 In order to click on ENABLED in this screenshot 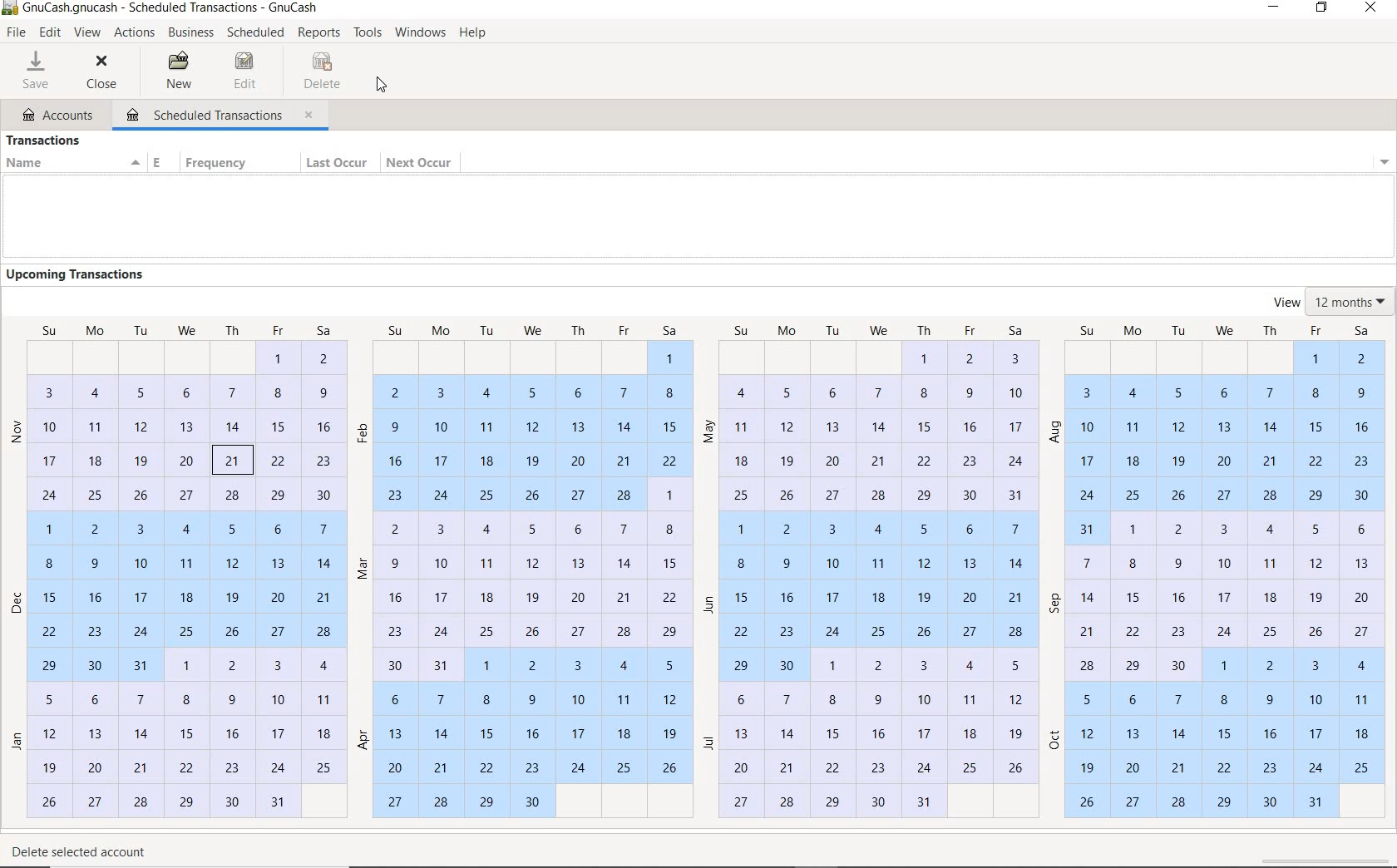, I will do `click(160, 165)`.